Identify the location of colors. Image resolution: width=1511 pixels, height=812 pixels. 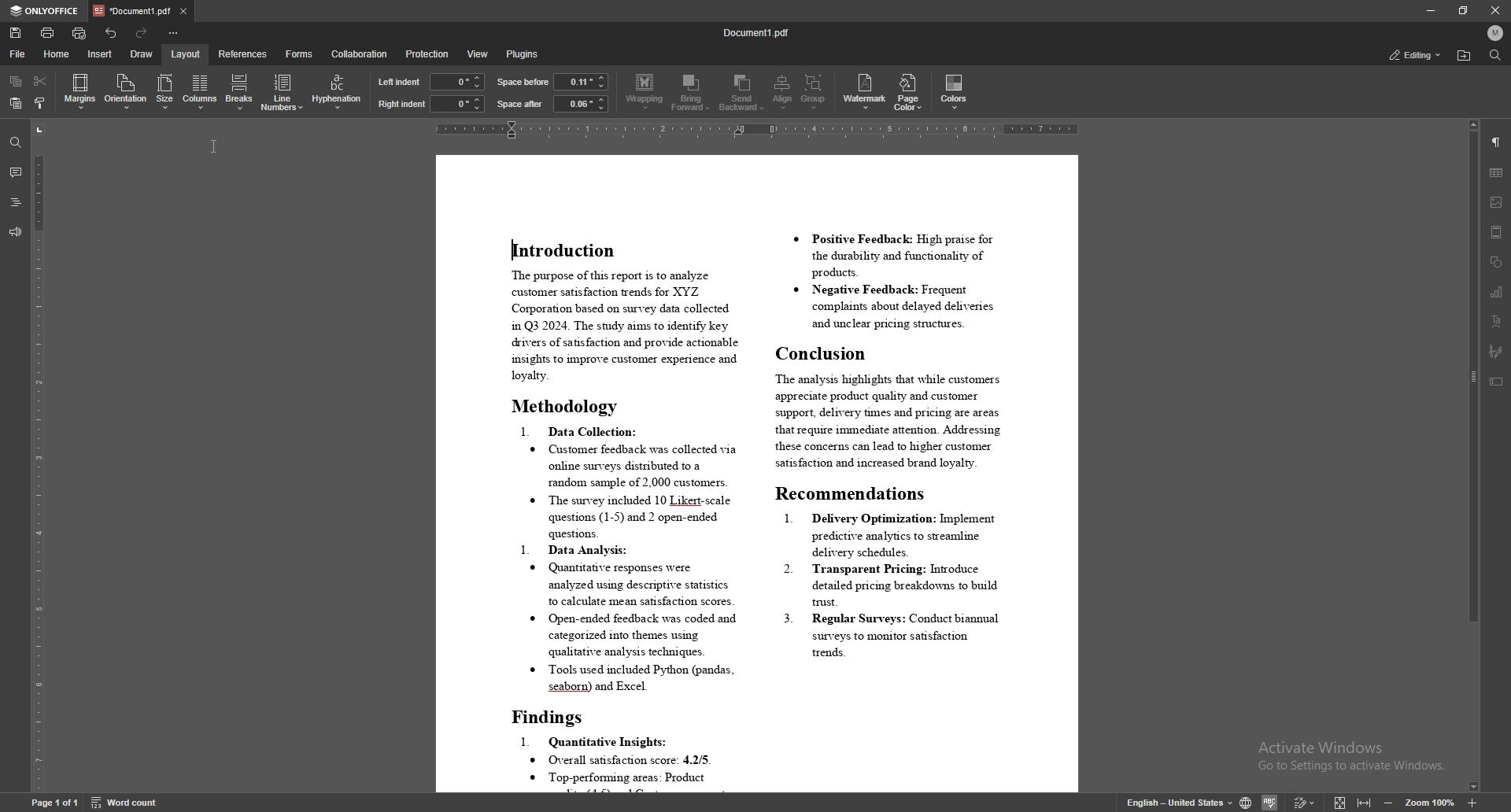
(955, 91).